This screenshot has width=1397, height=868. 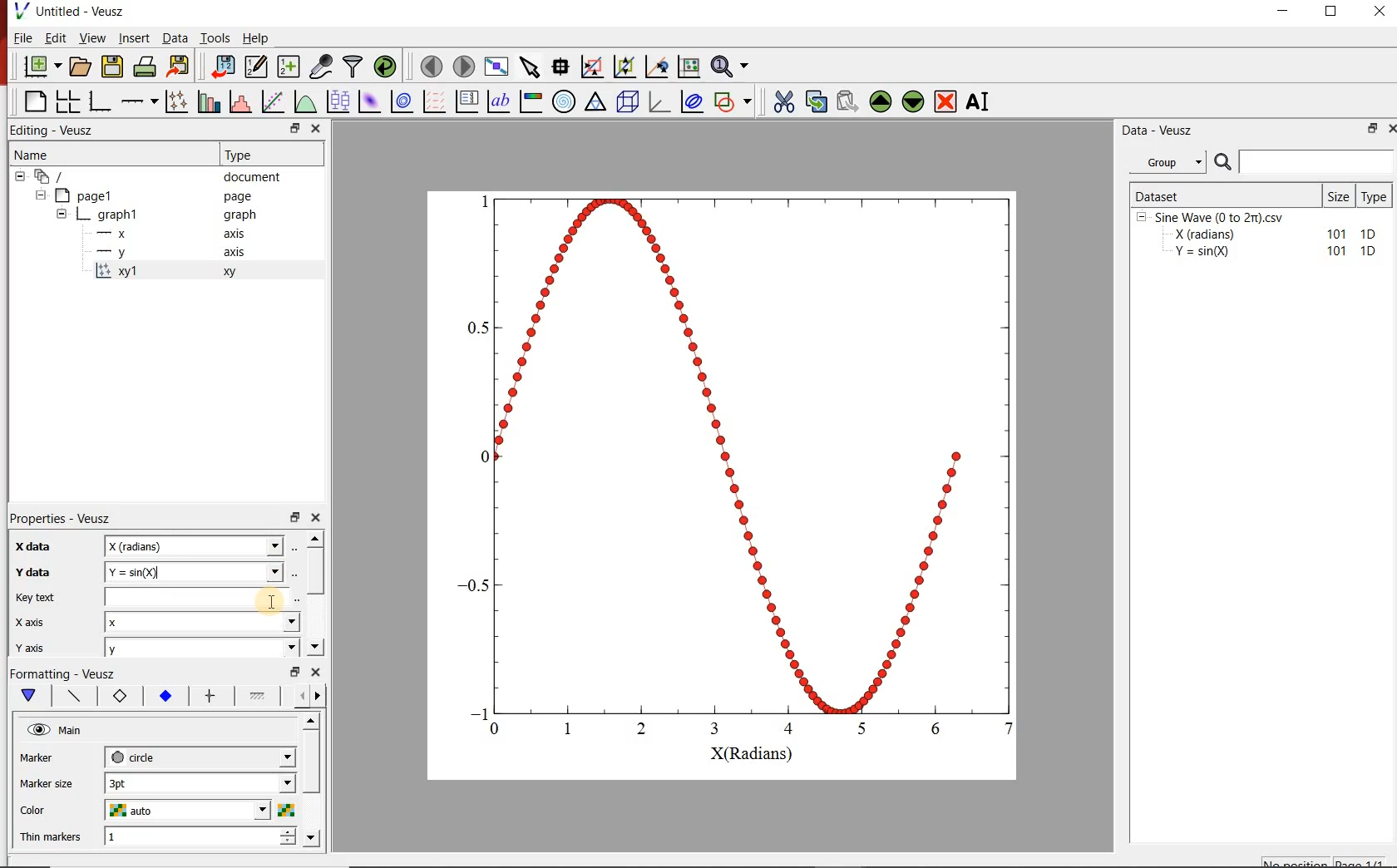 What do you see at coordinates (23, 37) in the screenshot?
I see `File` at bounding box center [23, 37].